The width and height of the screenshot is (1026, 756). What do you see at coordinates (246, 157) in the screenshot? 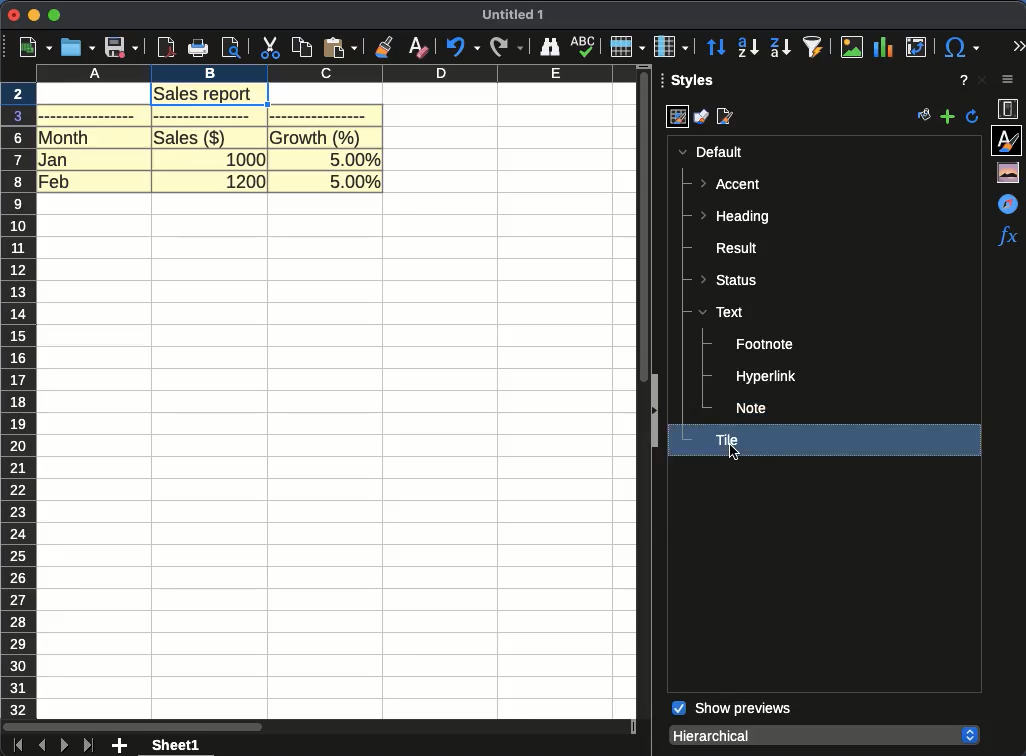
I see `1000` at bounding box center [246, 157].